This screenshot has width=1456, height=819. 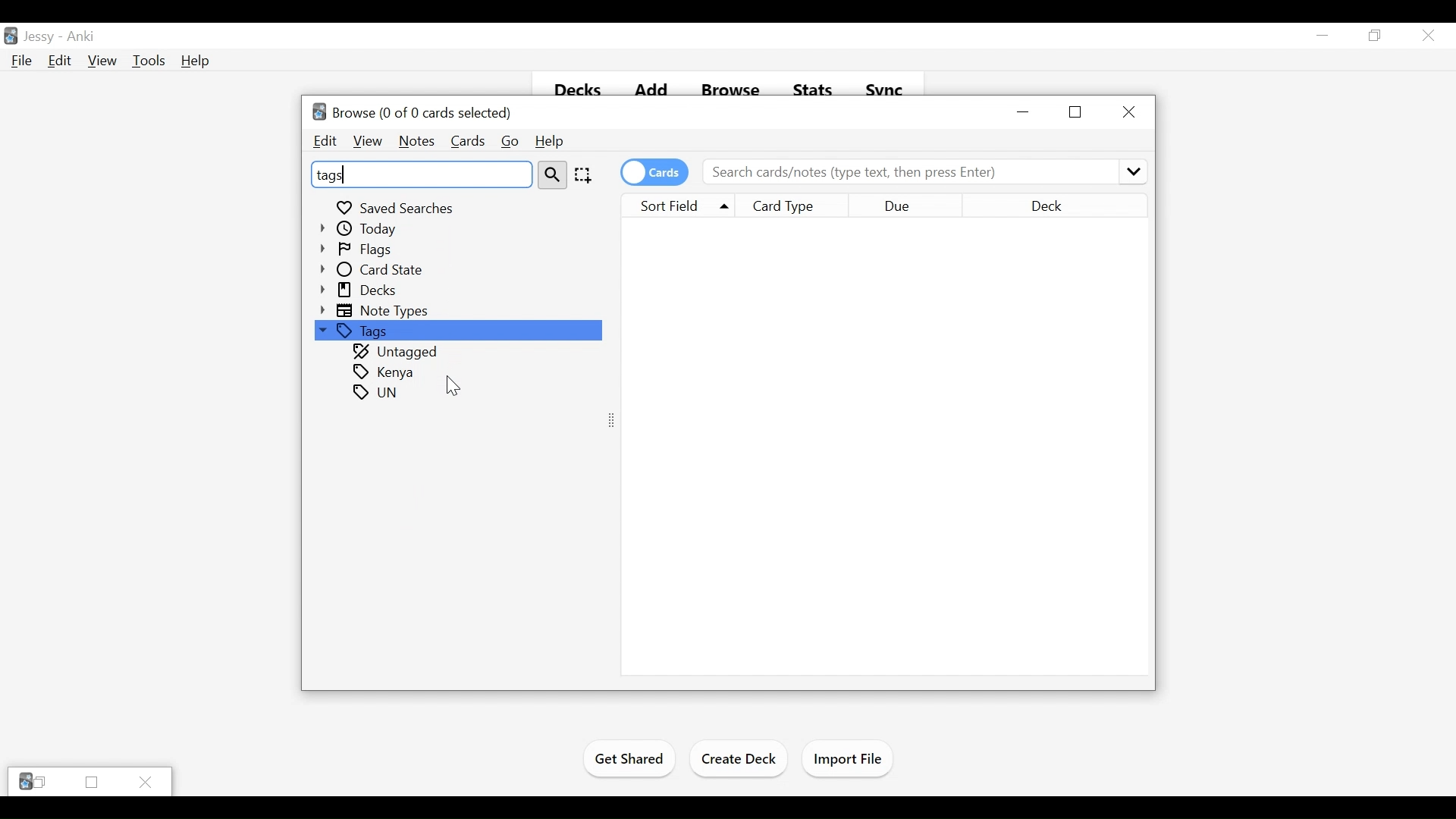 I want to click on tags, so click(x=420, y=174).